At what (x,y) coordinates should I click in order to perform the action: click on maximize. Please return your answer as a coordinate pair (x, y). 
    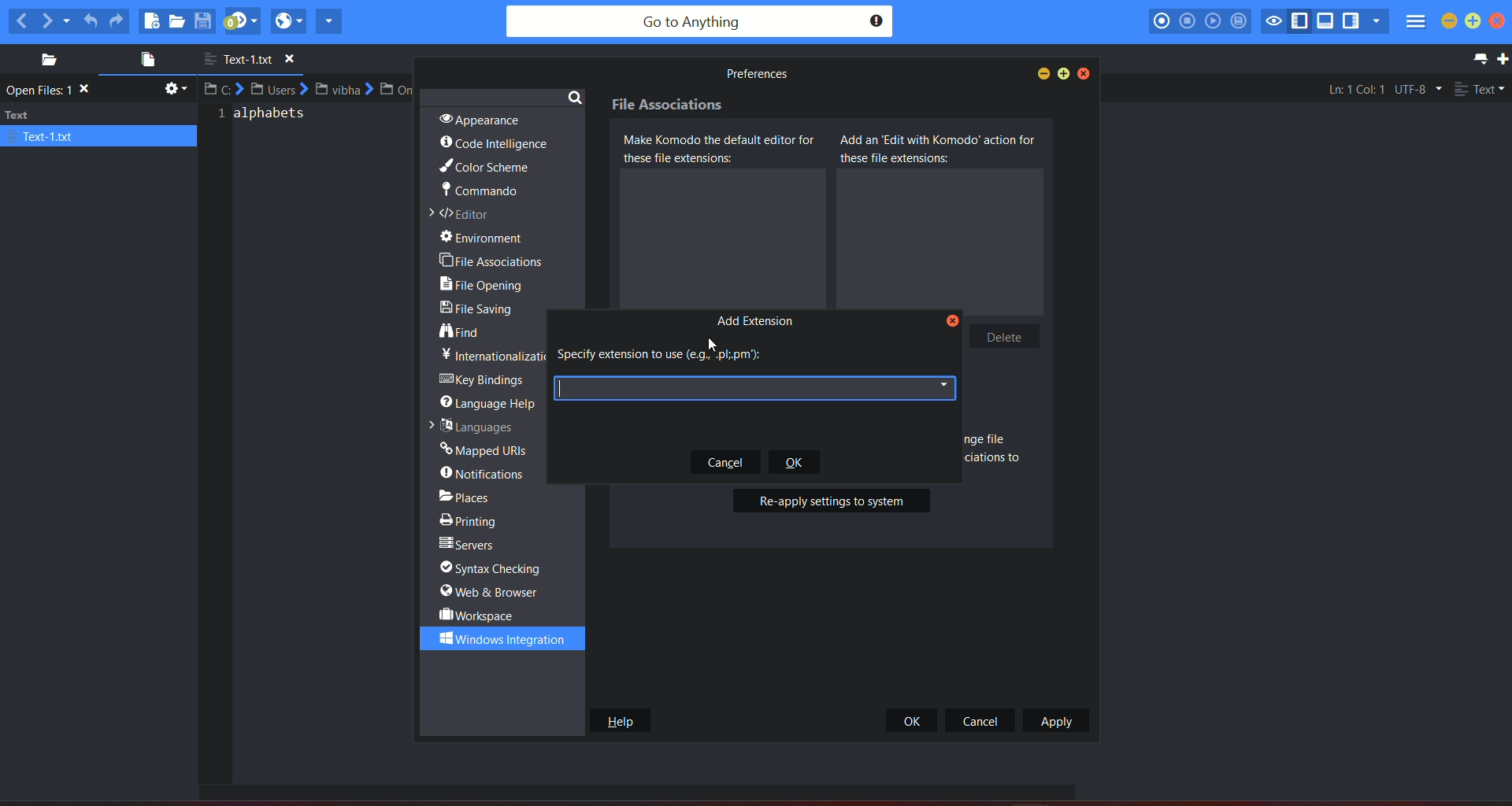
    Looking at the image, I should click on (1473, 21).